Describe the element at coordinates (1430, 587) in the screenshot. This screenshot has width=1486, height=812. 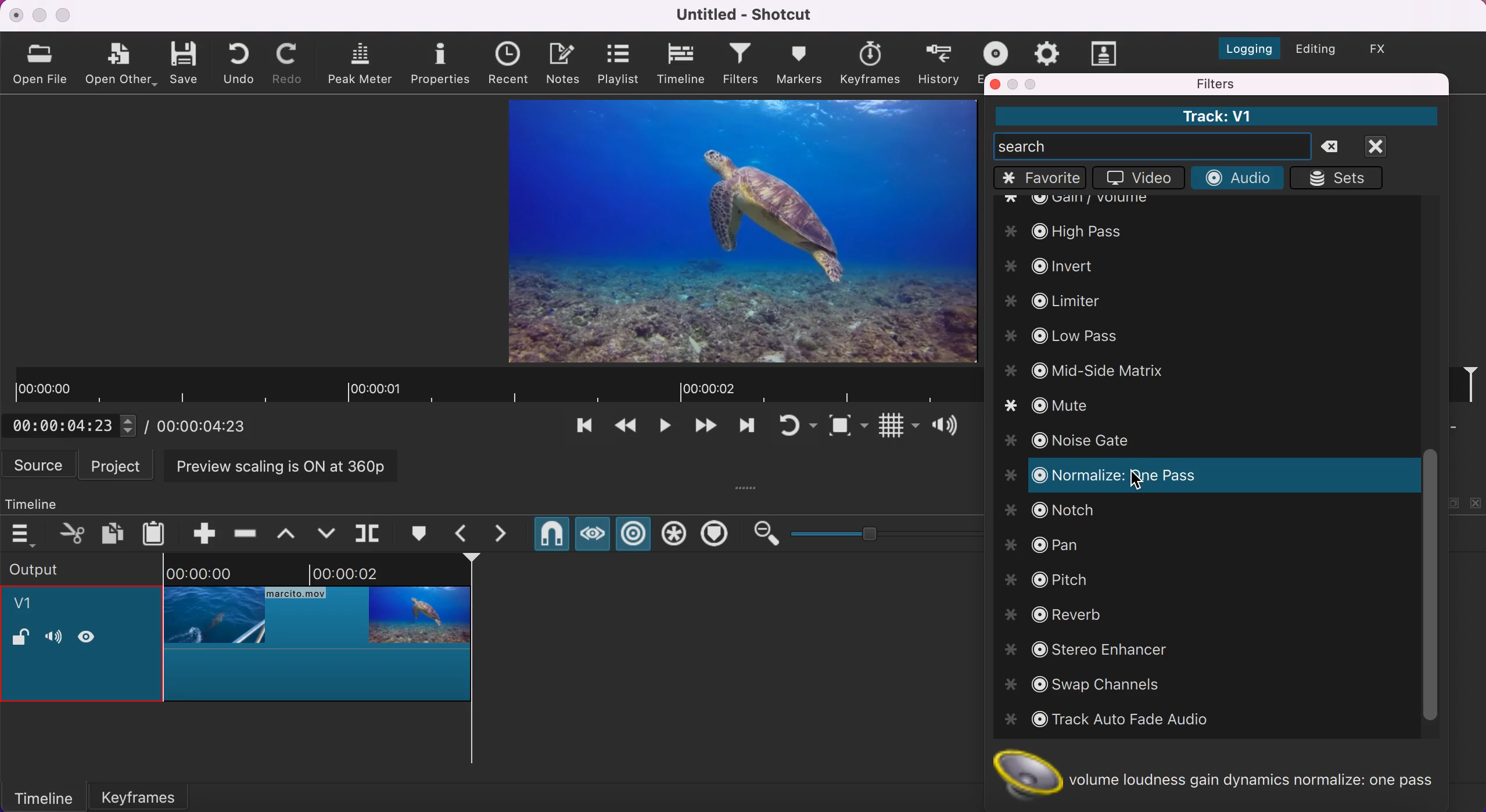
I see `Scrollbarr` at that location.